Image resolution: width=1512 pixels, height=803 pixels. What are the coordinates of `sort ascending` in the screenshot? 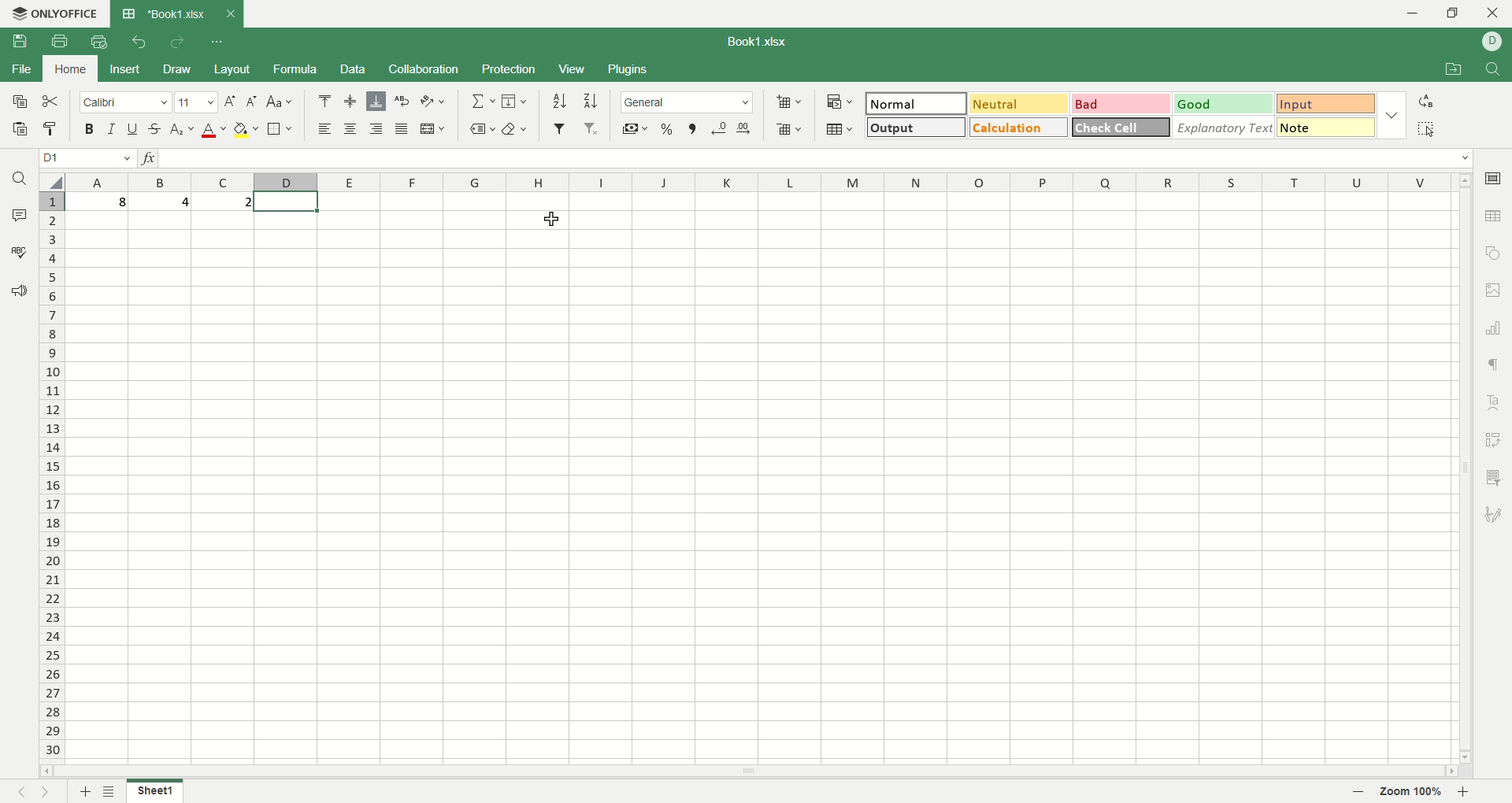 It's located at (561, 101).